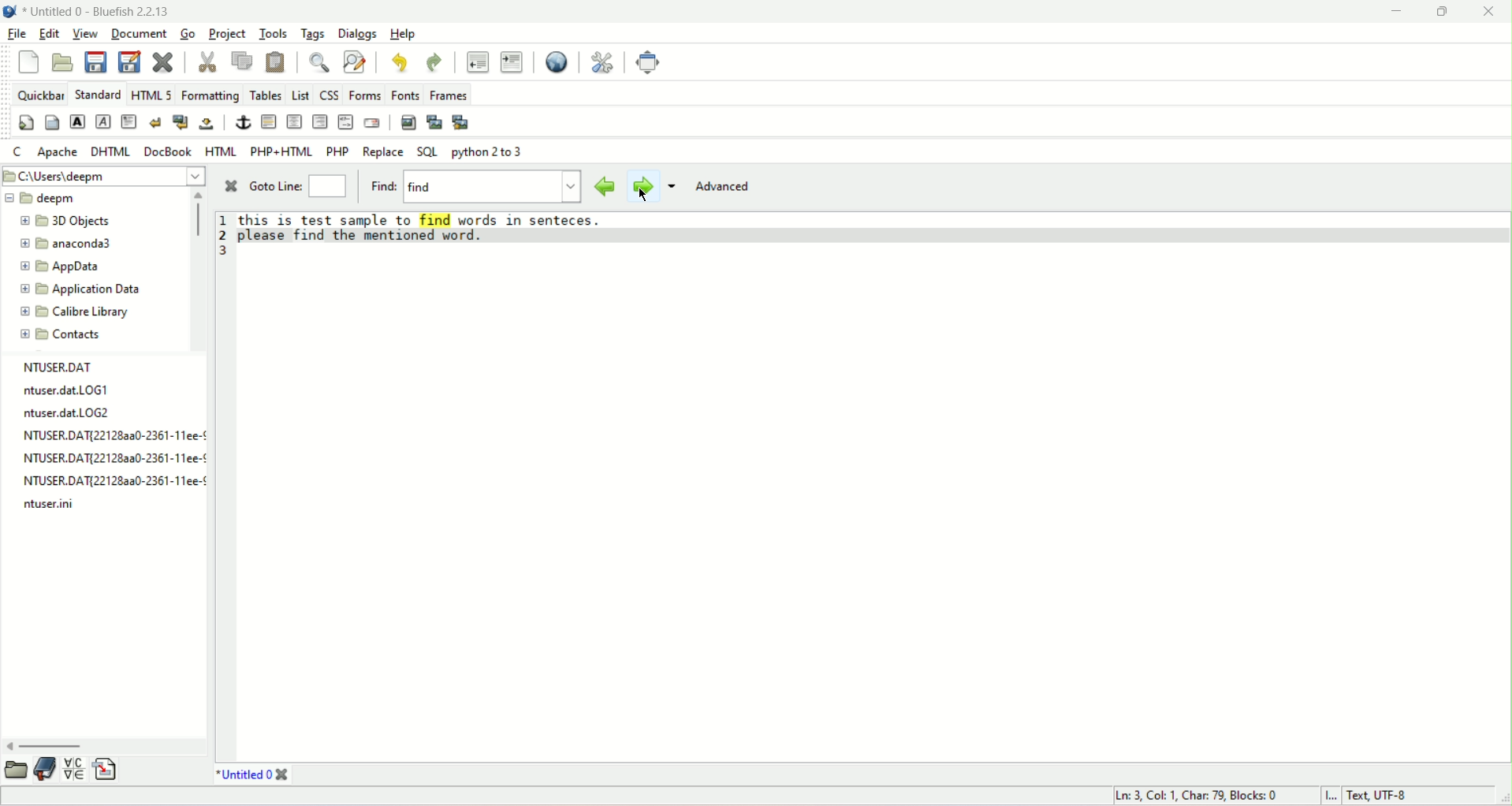 Image resolution: width=1512 pixels, height=806 pixels. I want to click on close current tab, so click(285, 774).